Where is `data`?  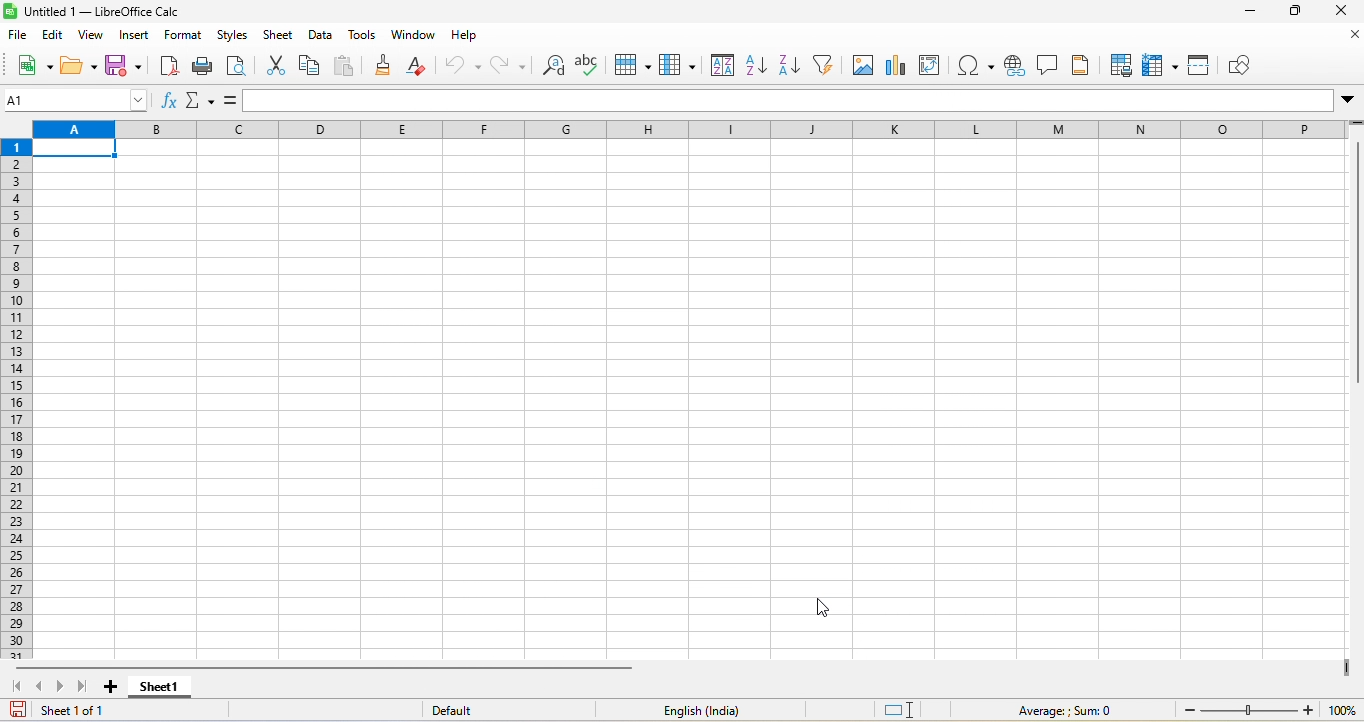 data is located at coordinates (322, 39).